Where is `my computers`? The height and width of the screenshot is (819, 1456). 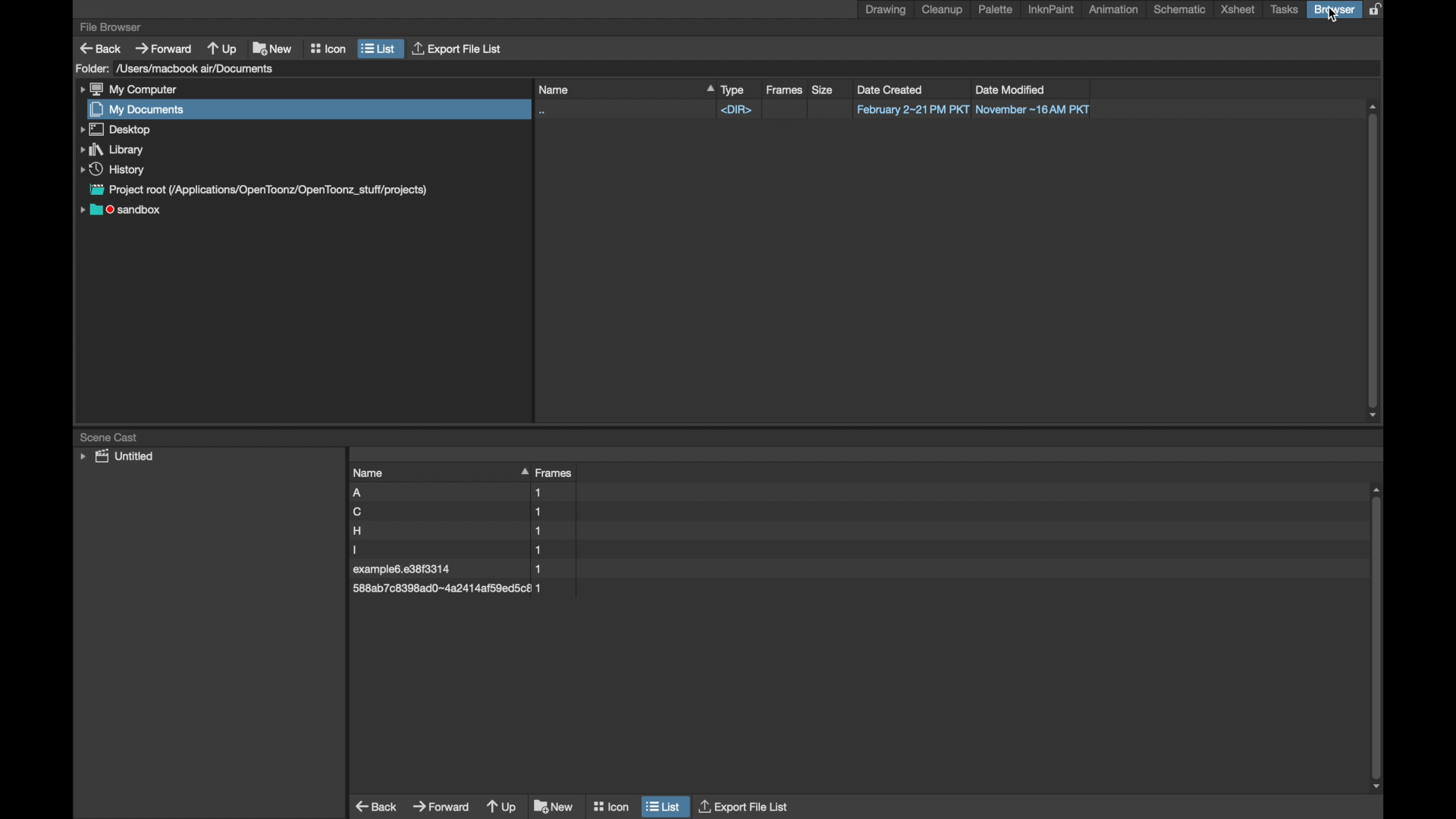
my computers is located at coordinates (129, 89).